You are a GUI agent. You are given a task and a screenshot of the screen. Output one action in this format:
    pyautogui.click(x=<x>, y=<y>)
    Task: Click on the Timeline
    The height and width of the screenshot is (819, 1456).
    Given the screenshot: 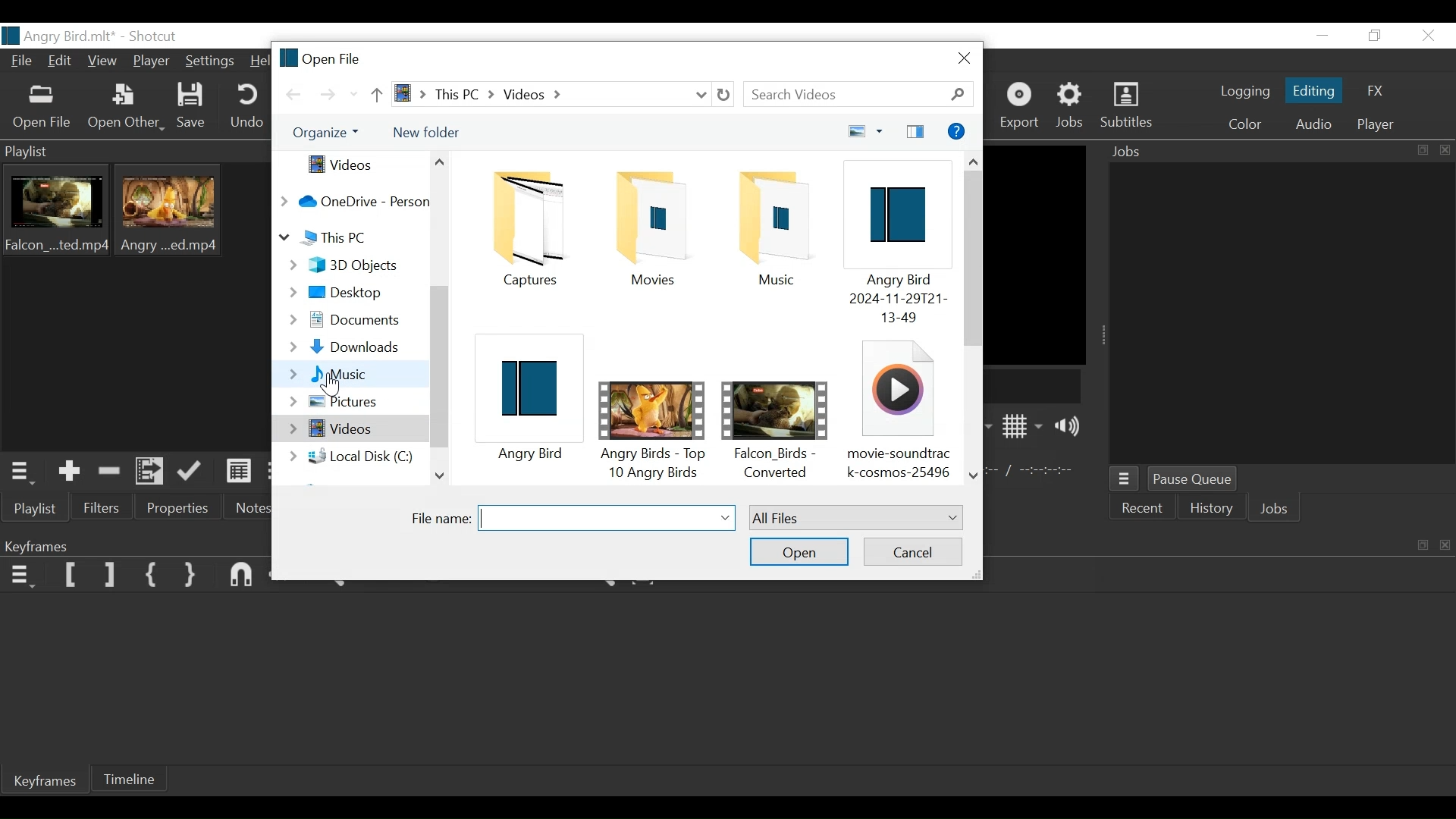 What is the action you would take?
    pyautogui.click(x=137, y=777)
    